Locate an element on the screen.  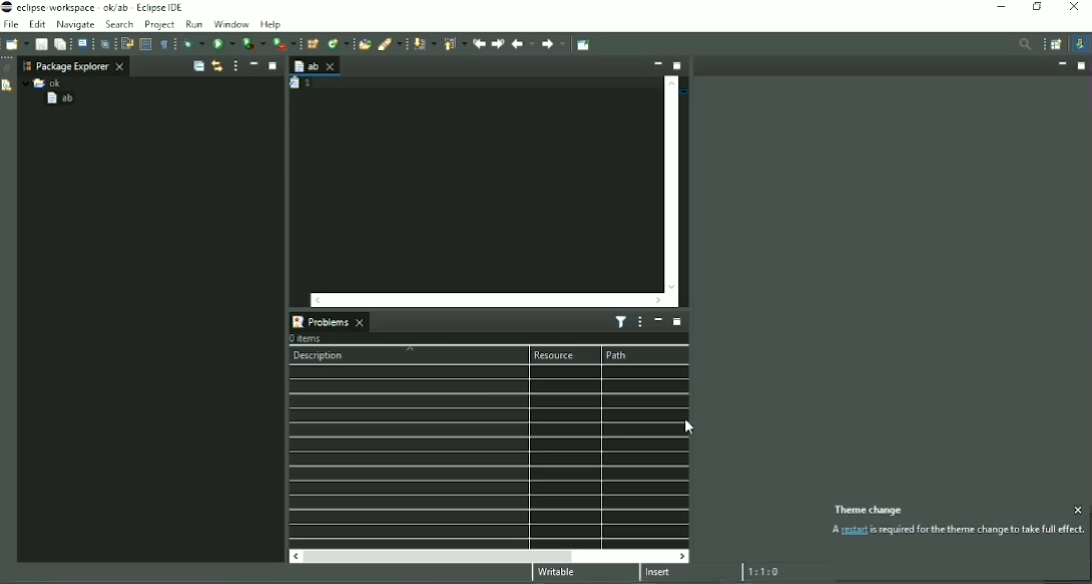
Maximize is located at coordinates (1083, 66).